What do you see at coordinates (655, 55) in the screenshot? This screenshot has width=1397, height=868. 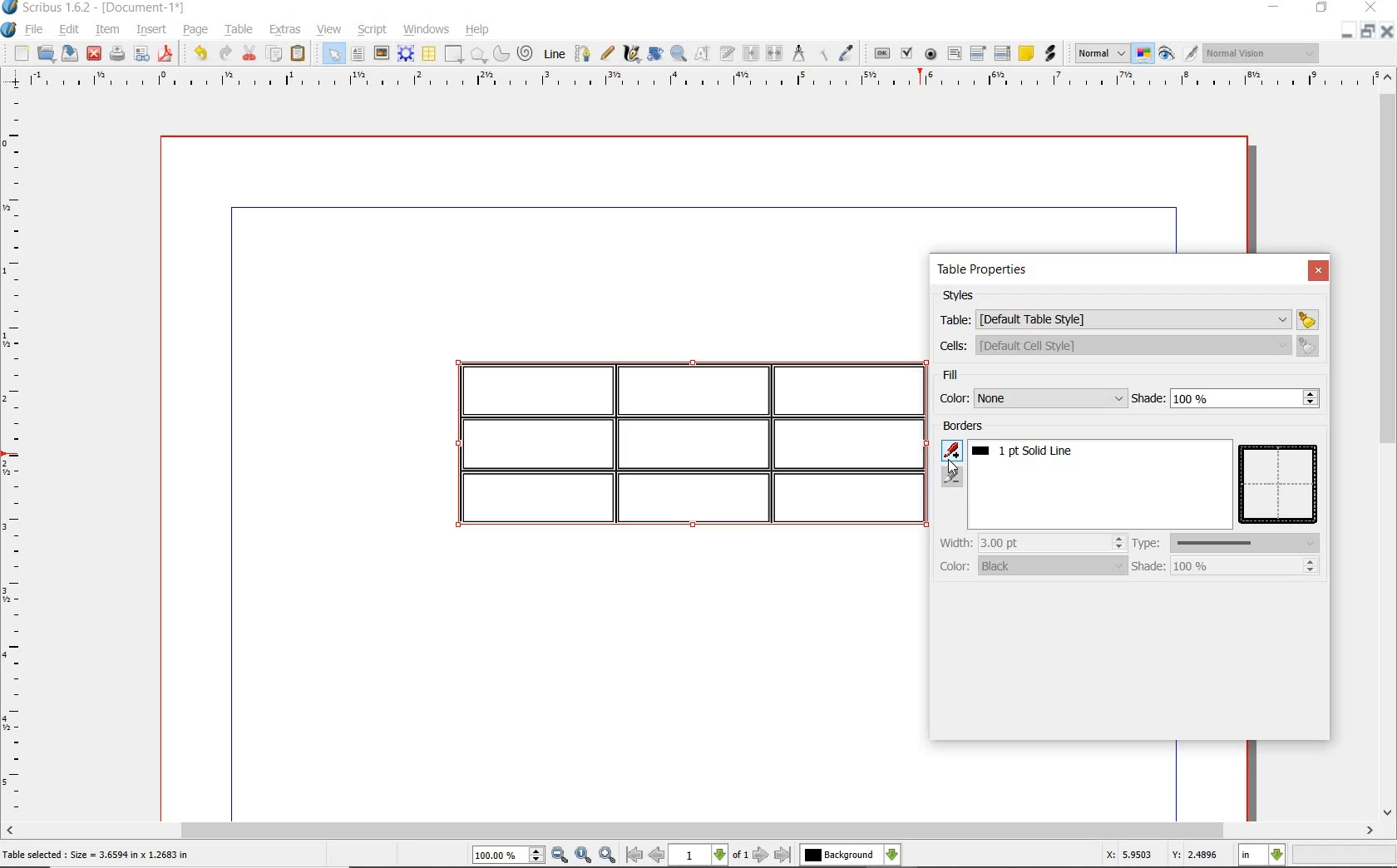 I see `rotate item` at bounding box center [655, 55].